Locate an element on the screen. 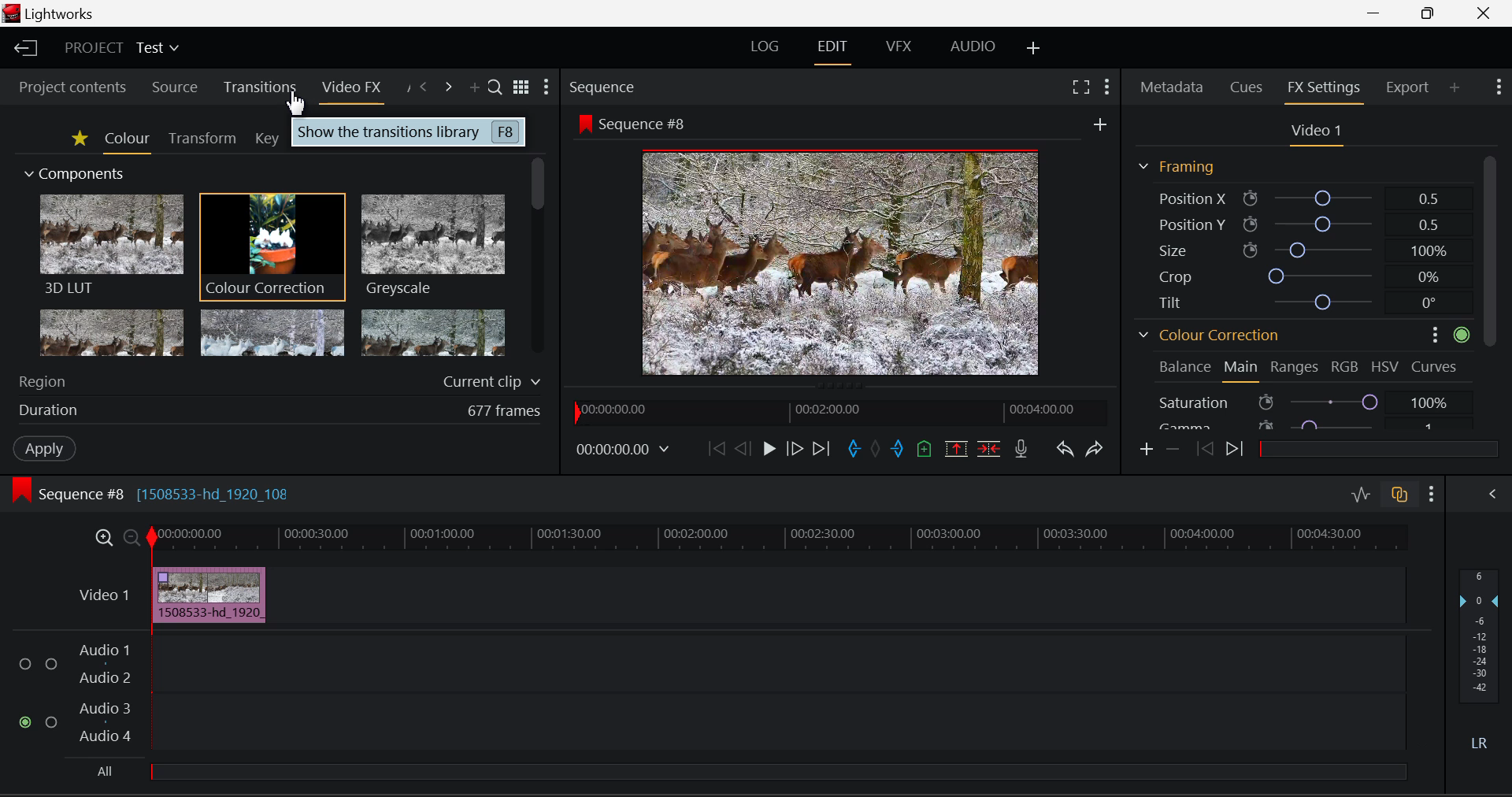 The height and width of the screenshot is (797, 1512). Effect Applied is located at coordinates (212, 594).